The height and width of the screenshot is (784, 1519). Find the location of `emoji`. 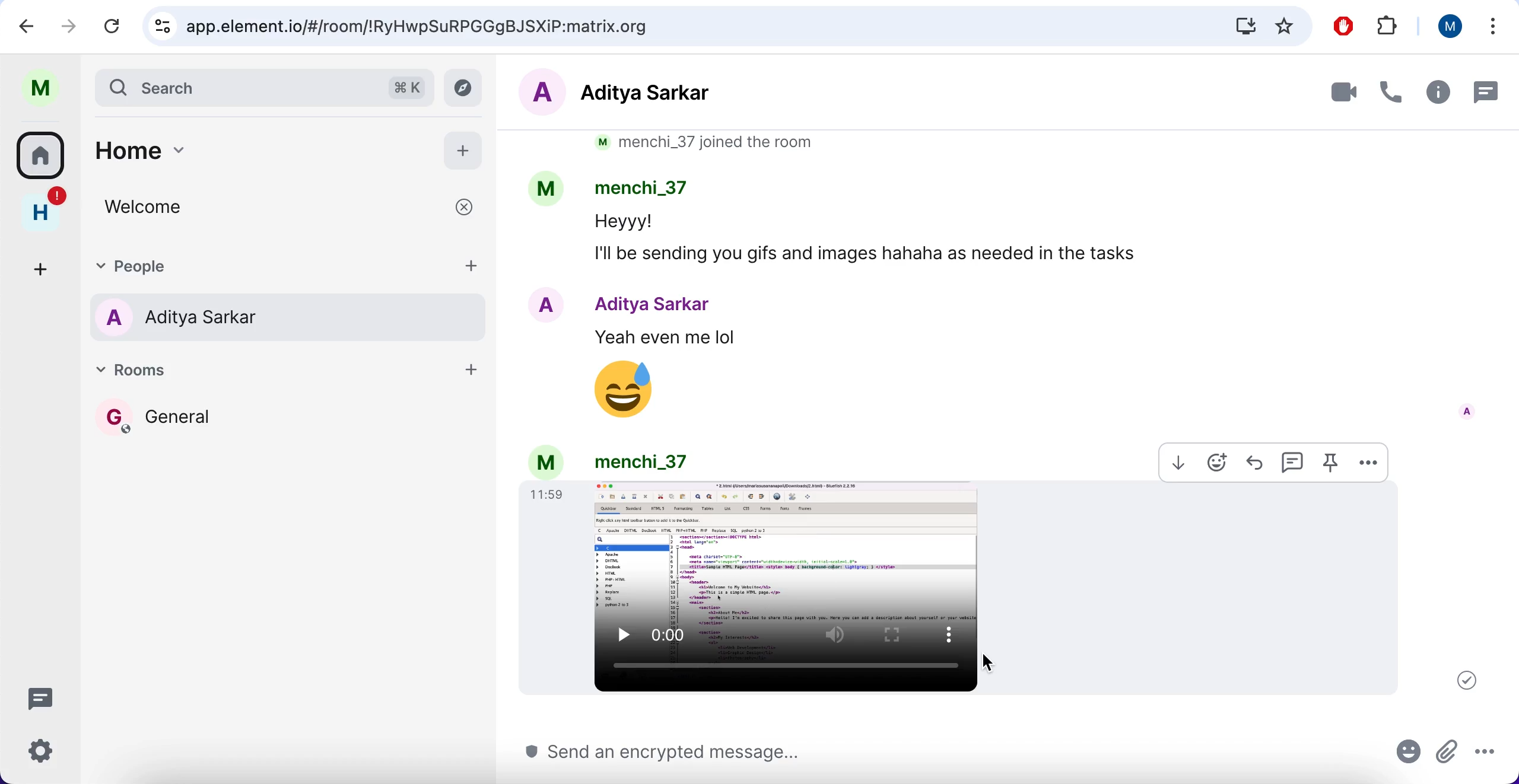

emoji is located at coordinates (1405, 750).